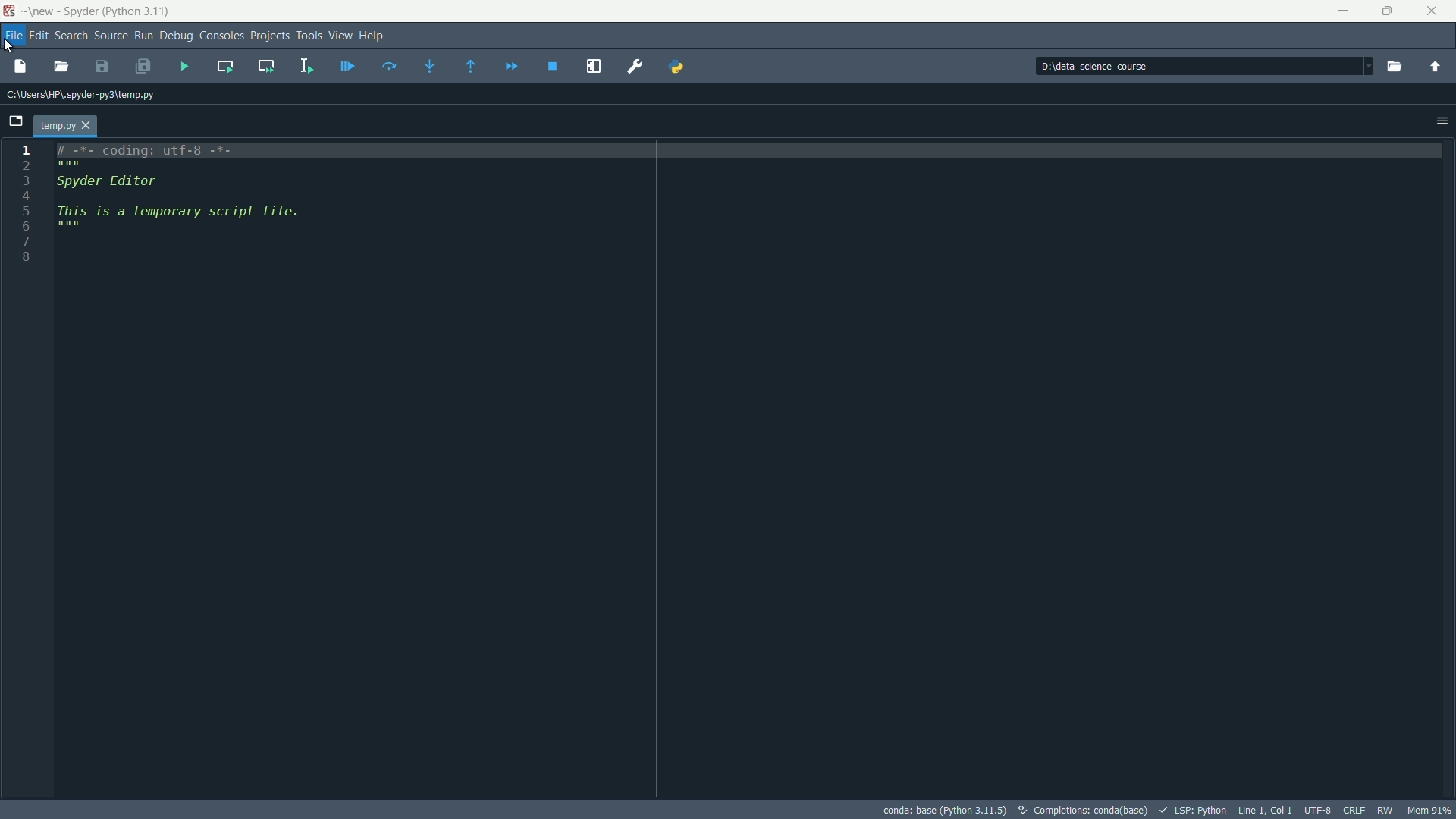 Image resolution: width=1456 pixels, height=819 pixels. Describe the element at coordinates (594, 66) in the screenshot. I see `maximize current panel` at that location.